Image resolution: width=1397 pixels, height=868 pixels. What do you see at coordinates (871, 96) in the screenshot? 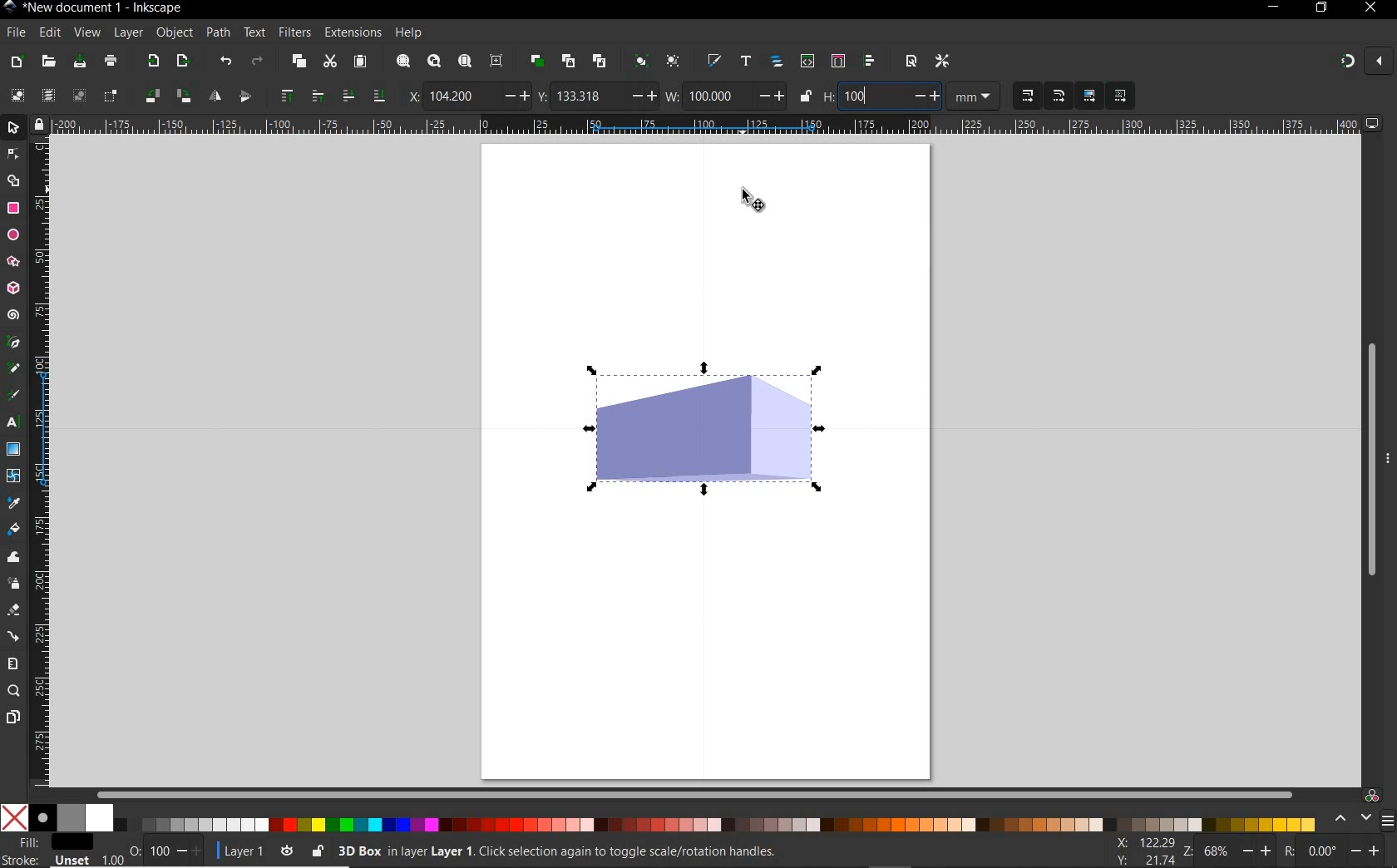
I see `100` at bounding box center [871, 96].